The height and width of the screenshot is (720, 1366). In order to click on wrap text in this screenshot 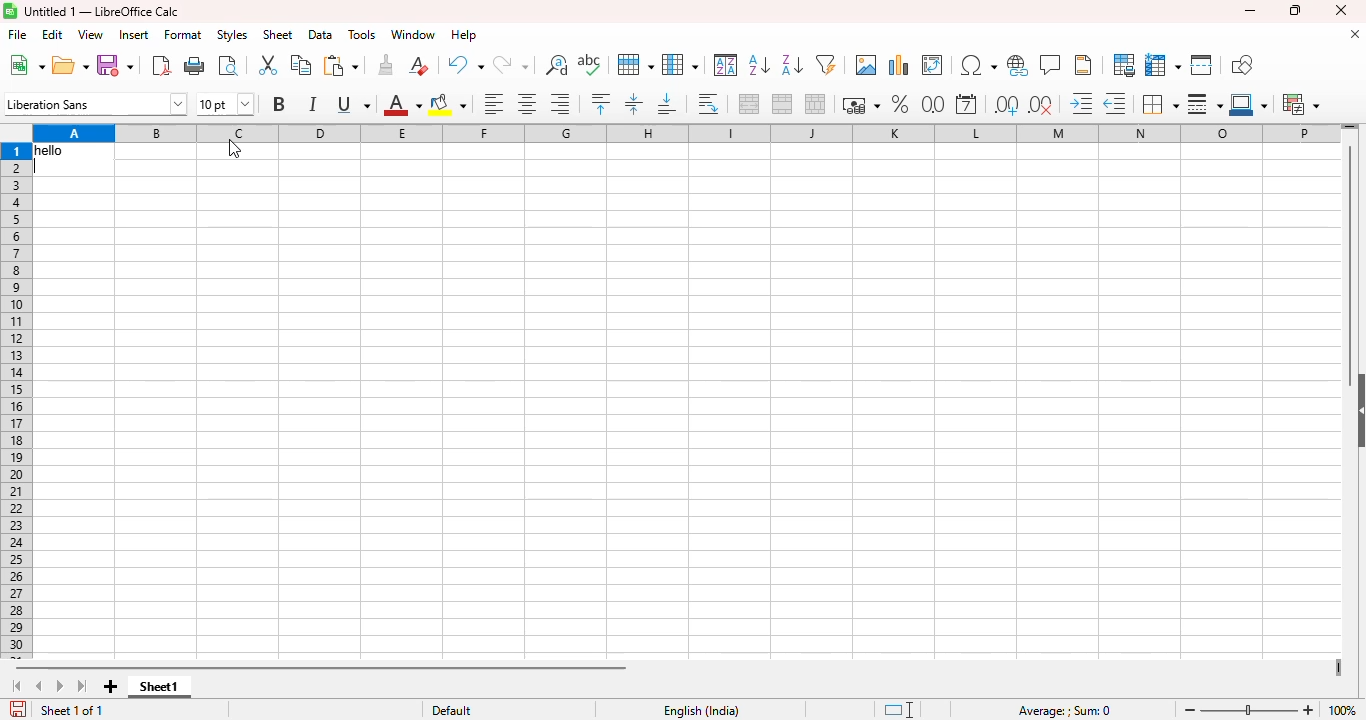, I will do `click(708, 104)`.